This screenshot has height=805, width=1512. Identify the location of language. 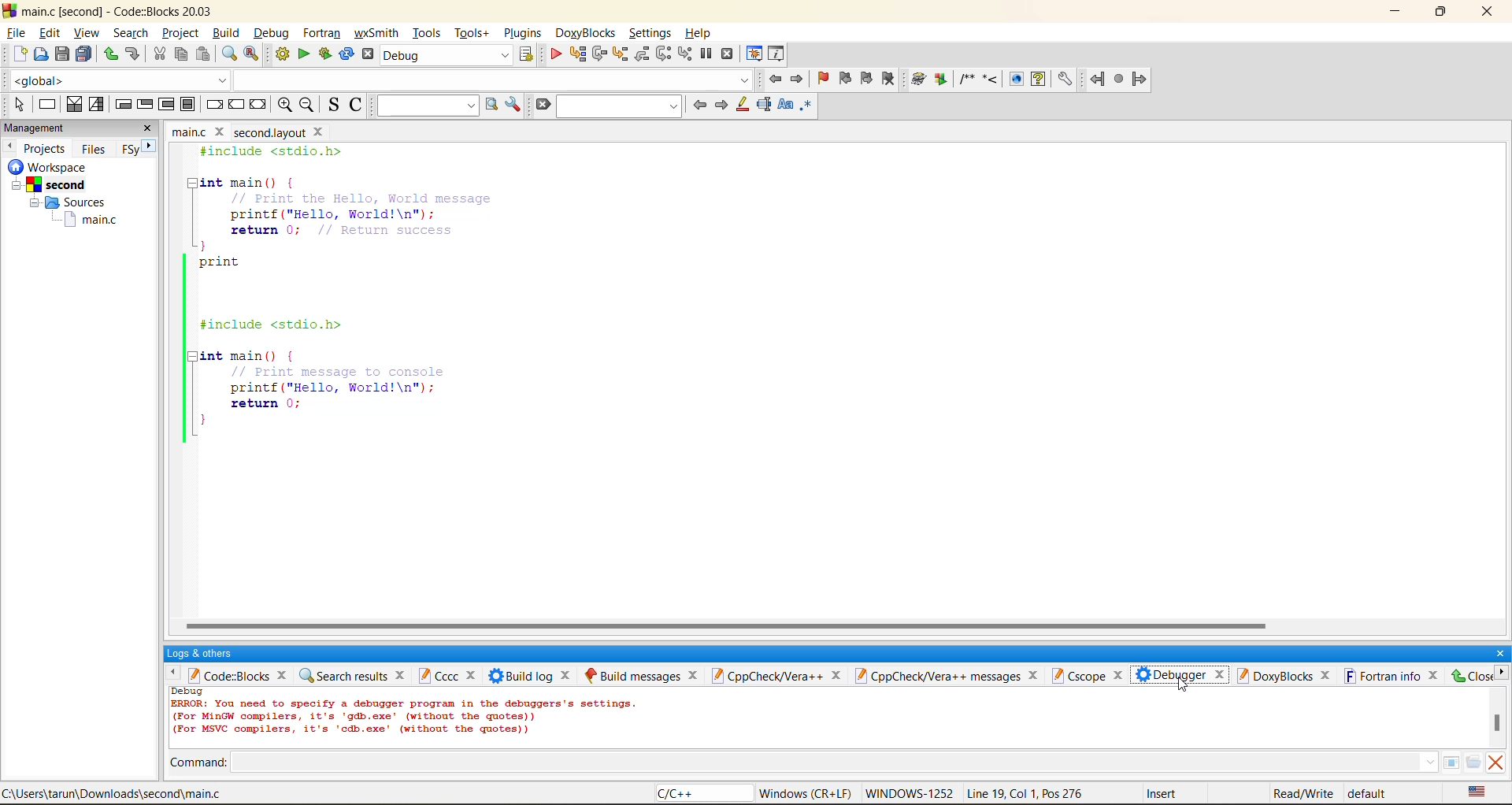
(691, 796).